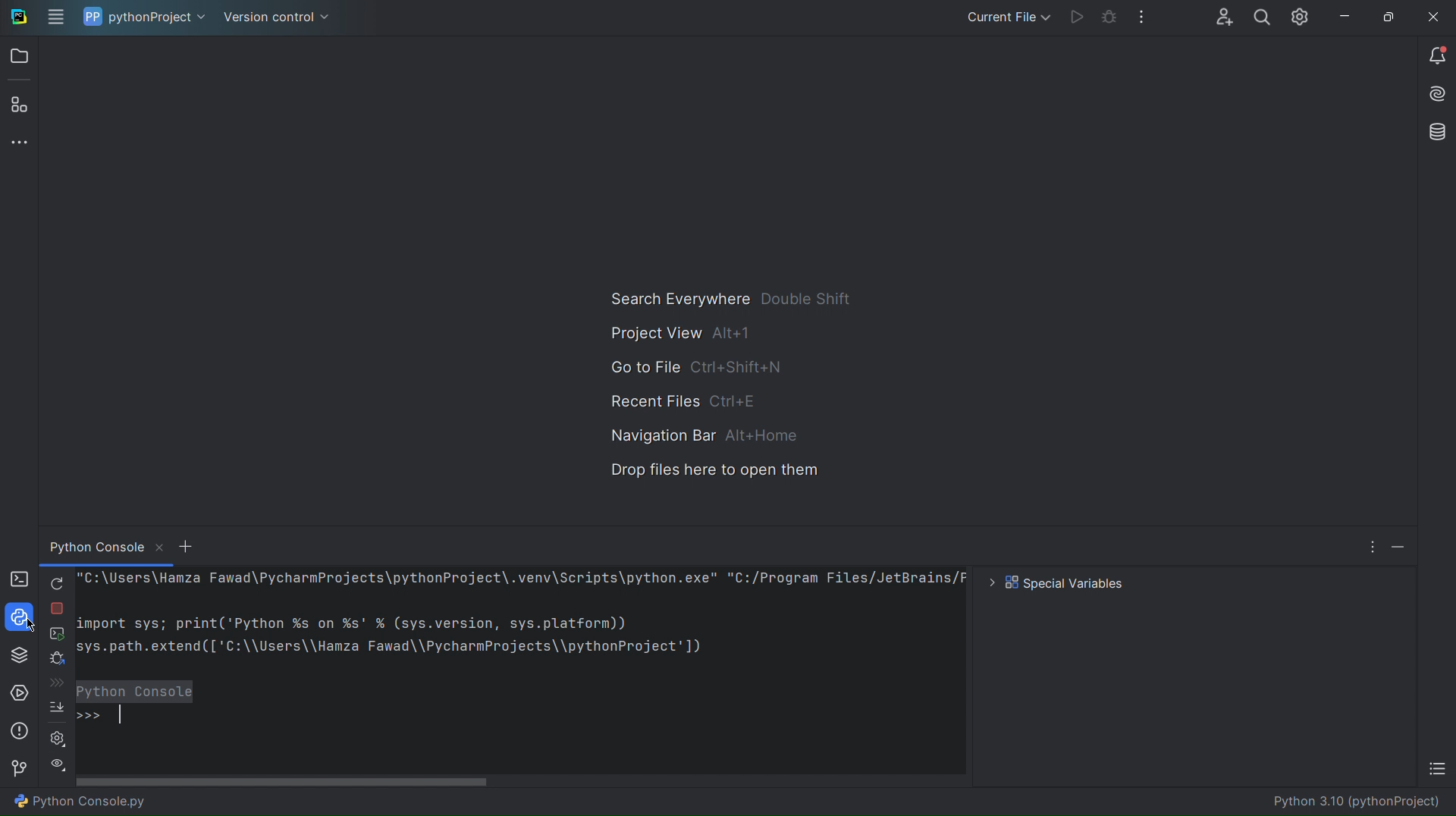 This screenshot has width=1456, height=816. What do you see at coordinates (17, 19) in the screenshot?
I see `Logo` at bounding box center [17, 19].